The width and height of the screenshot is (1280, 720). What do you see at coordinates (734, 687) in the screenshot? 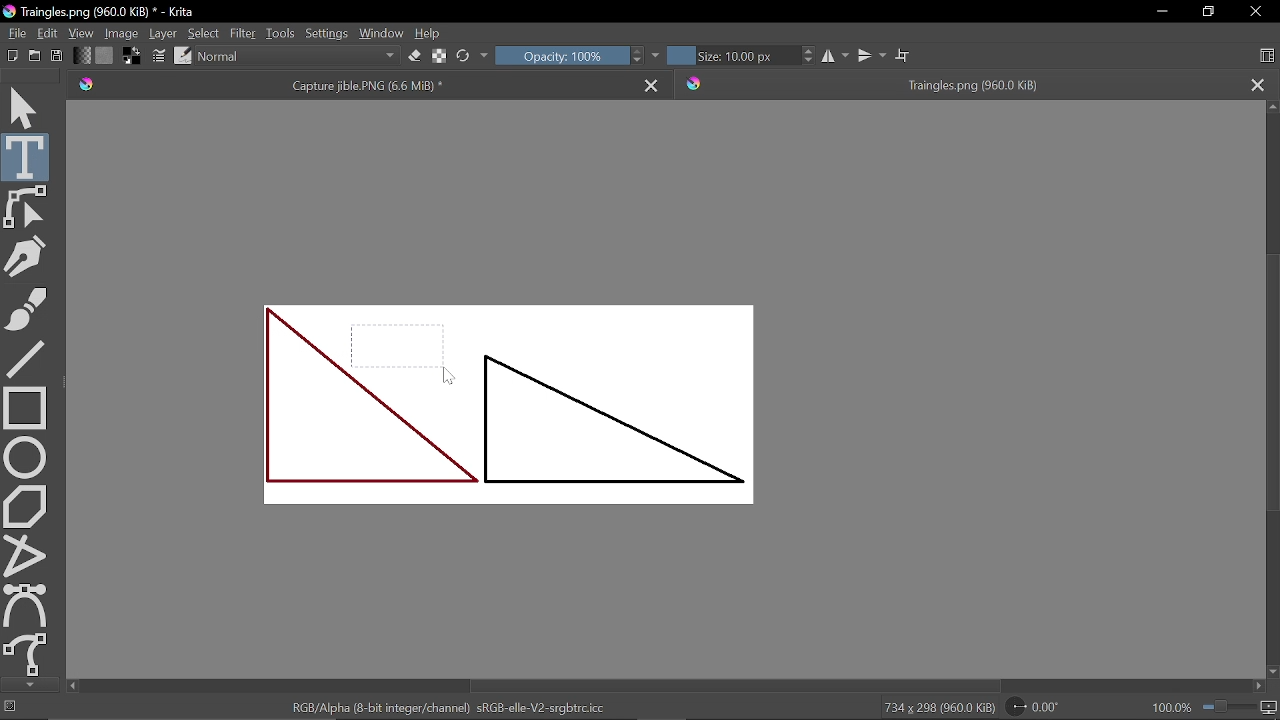
I see `Horizontal scrollbar` at bounding box center [734, 687].